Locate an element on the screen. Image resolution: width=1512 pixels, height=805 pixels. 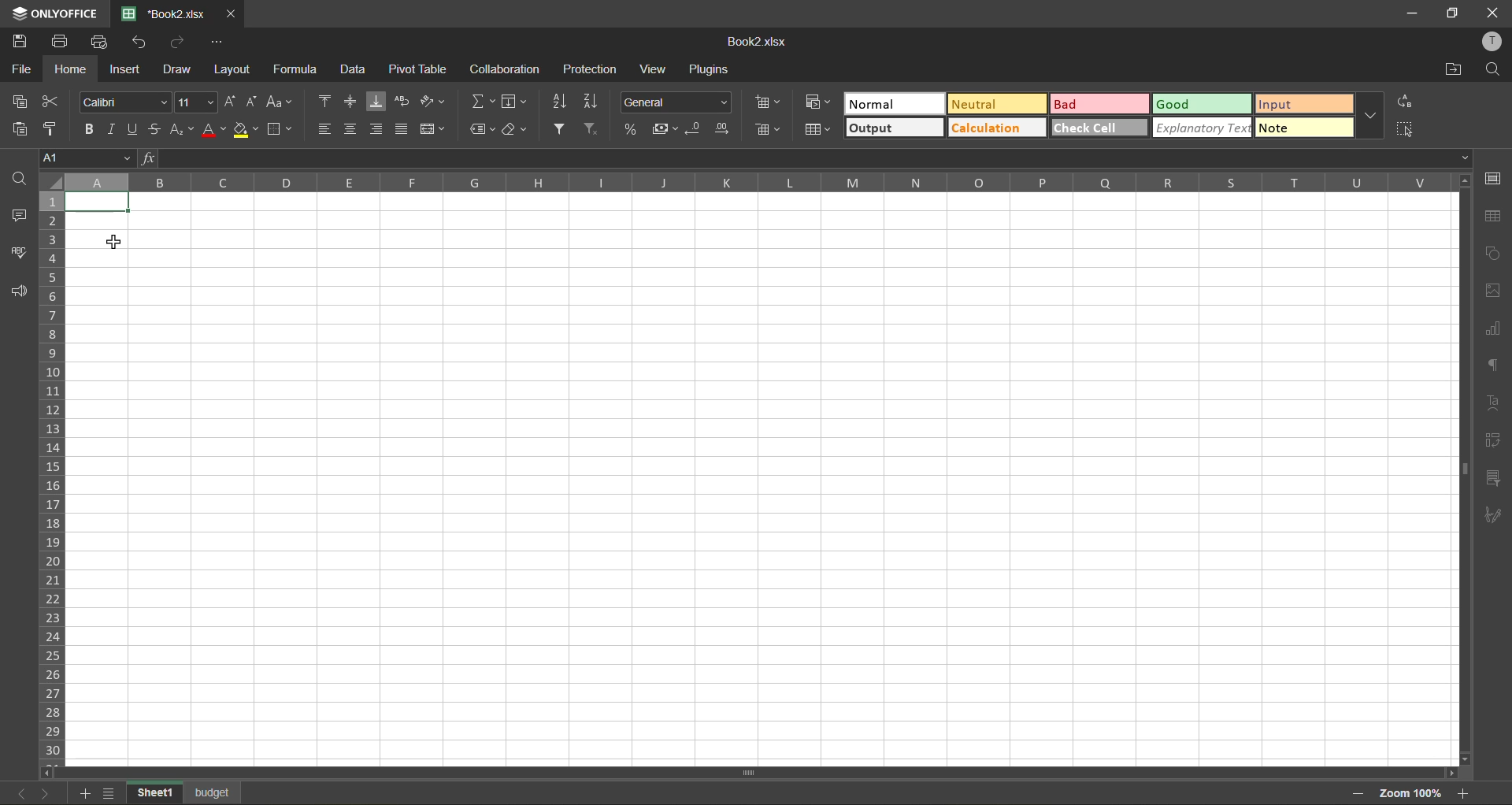
insert is located at coordinates (128, 69).